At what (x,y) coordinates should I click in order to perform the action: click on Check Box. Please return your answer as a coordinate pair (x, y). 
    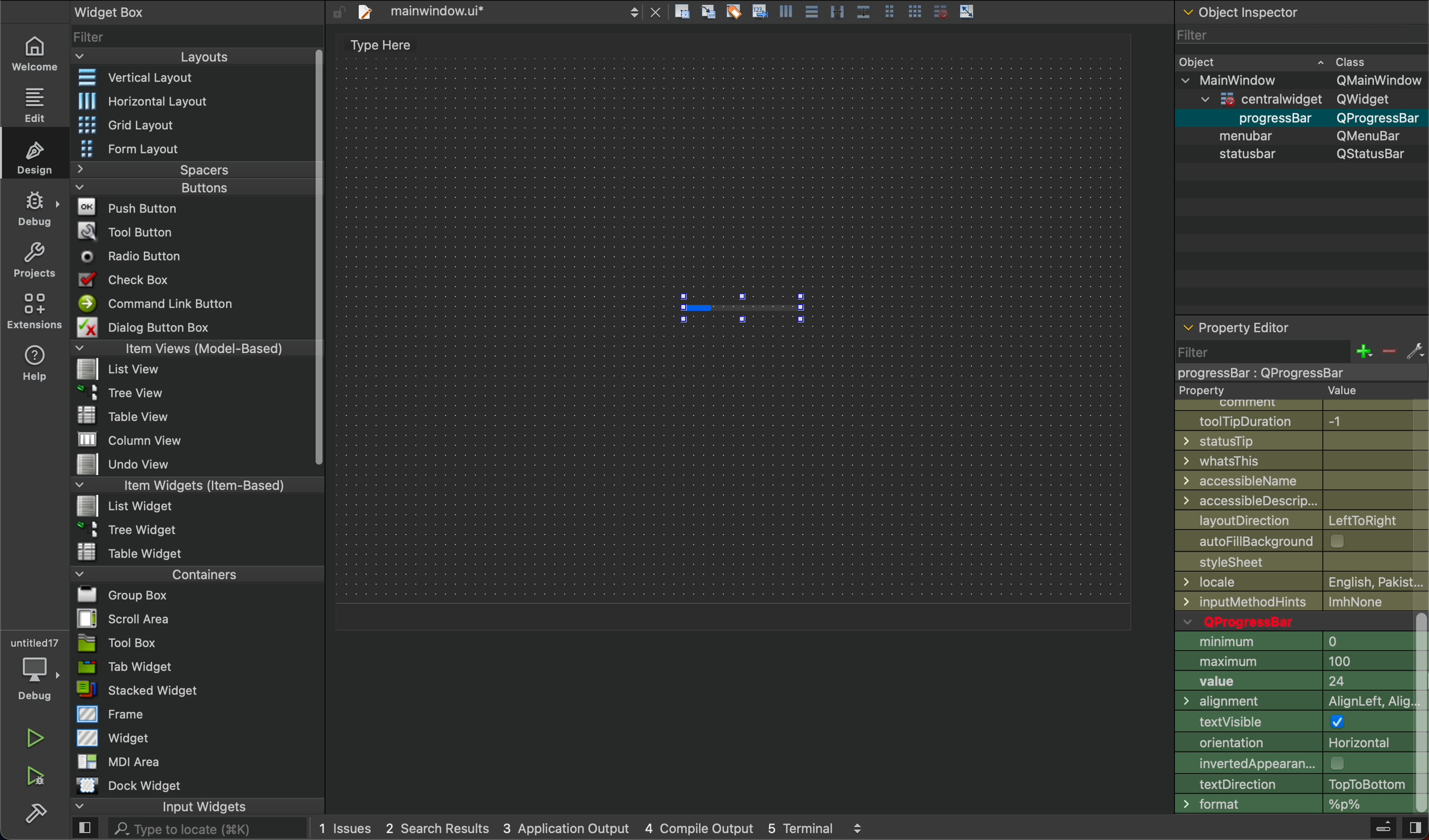
    Looking at the image, I should click on (138, 279).